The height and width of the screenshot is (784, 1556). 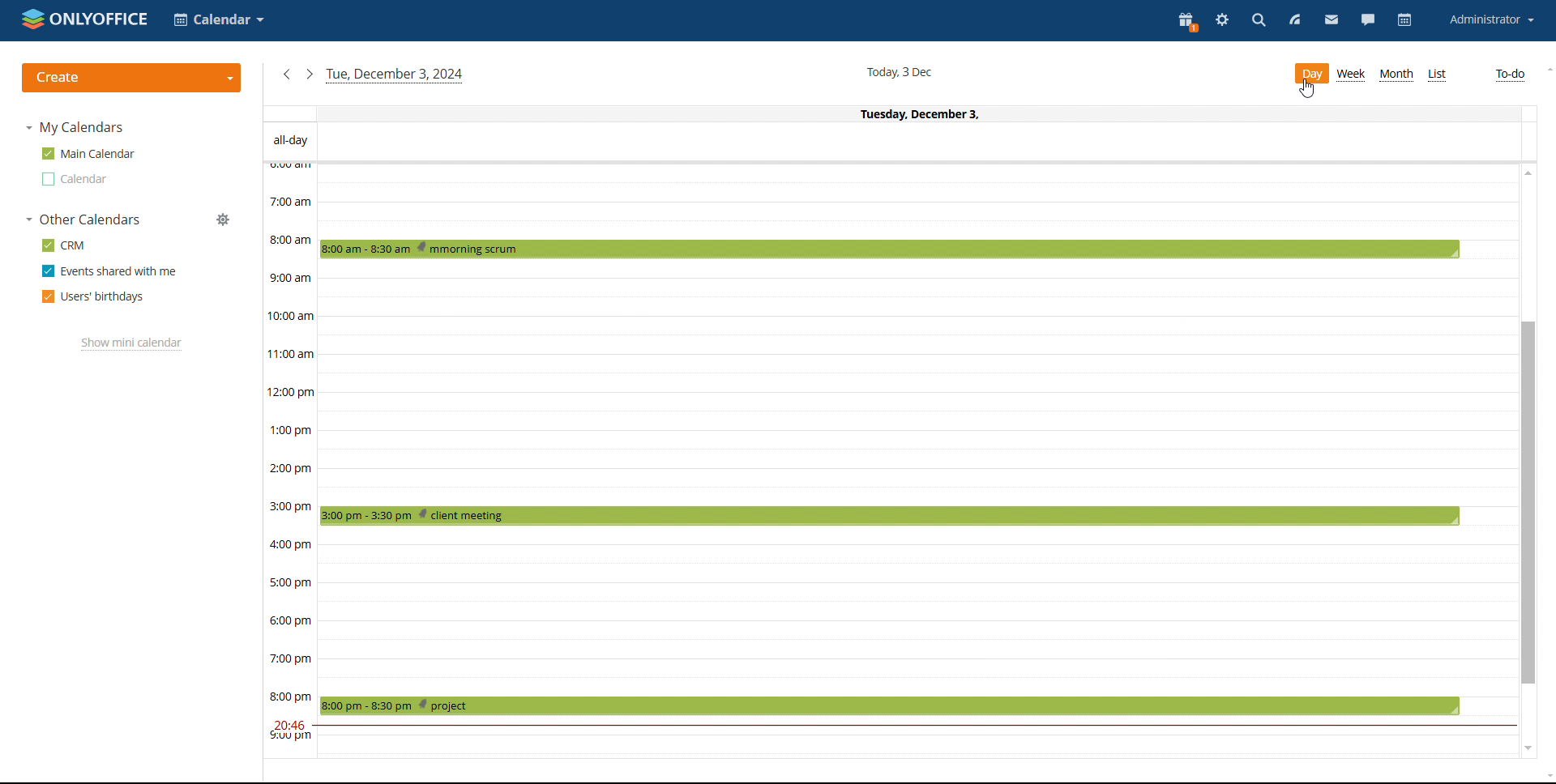 What do you see at coordinates (1186, 22) in the screenshot?
I see `present` at bounding box center [1186, 22].